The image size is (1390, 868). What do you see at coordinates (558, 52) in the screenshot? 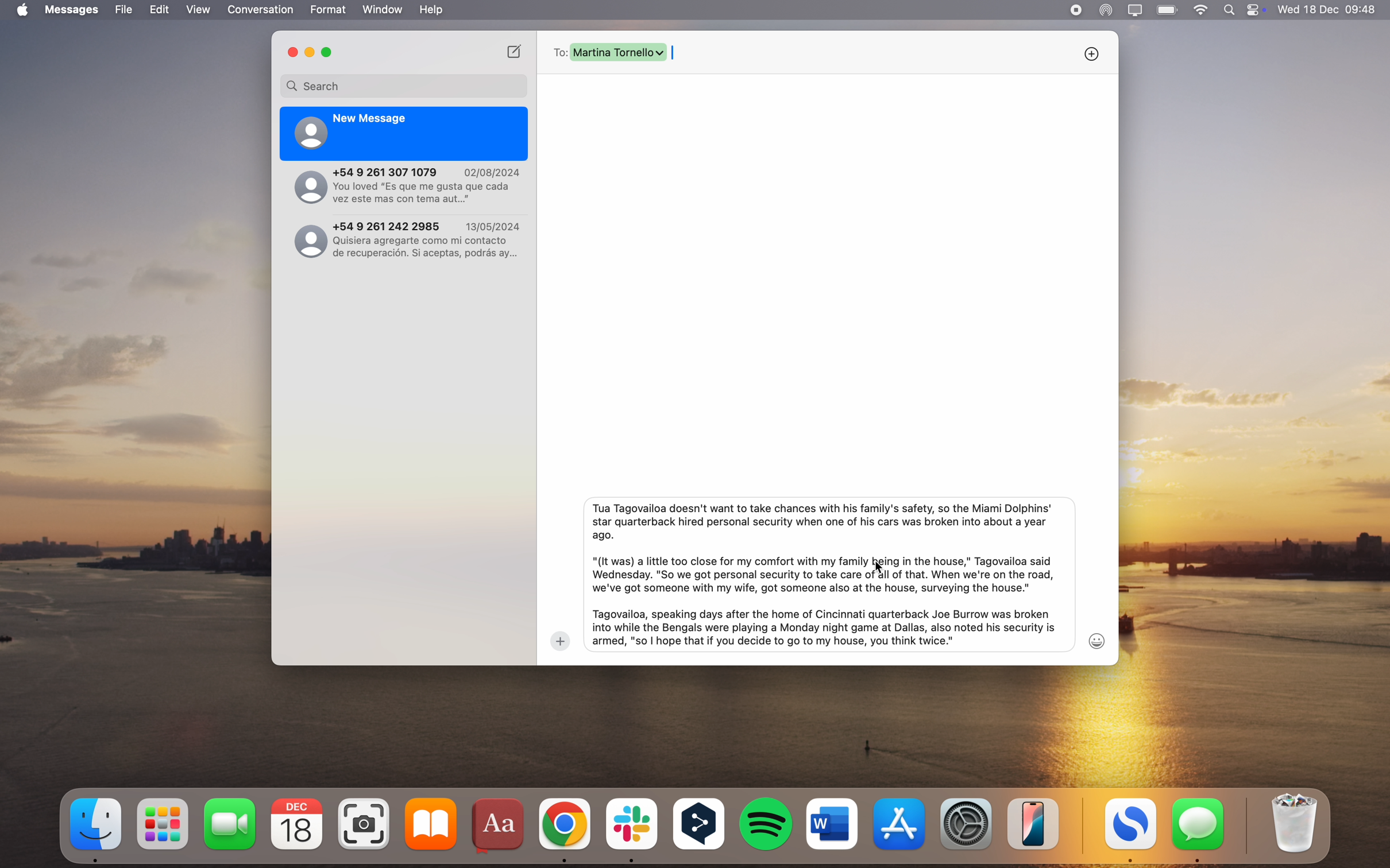
I see `to` at bounding box center [558, 52].